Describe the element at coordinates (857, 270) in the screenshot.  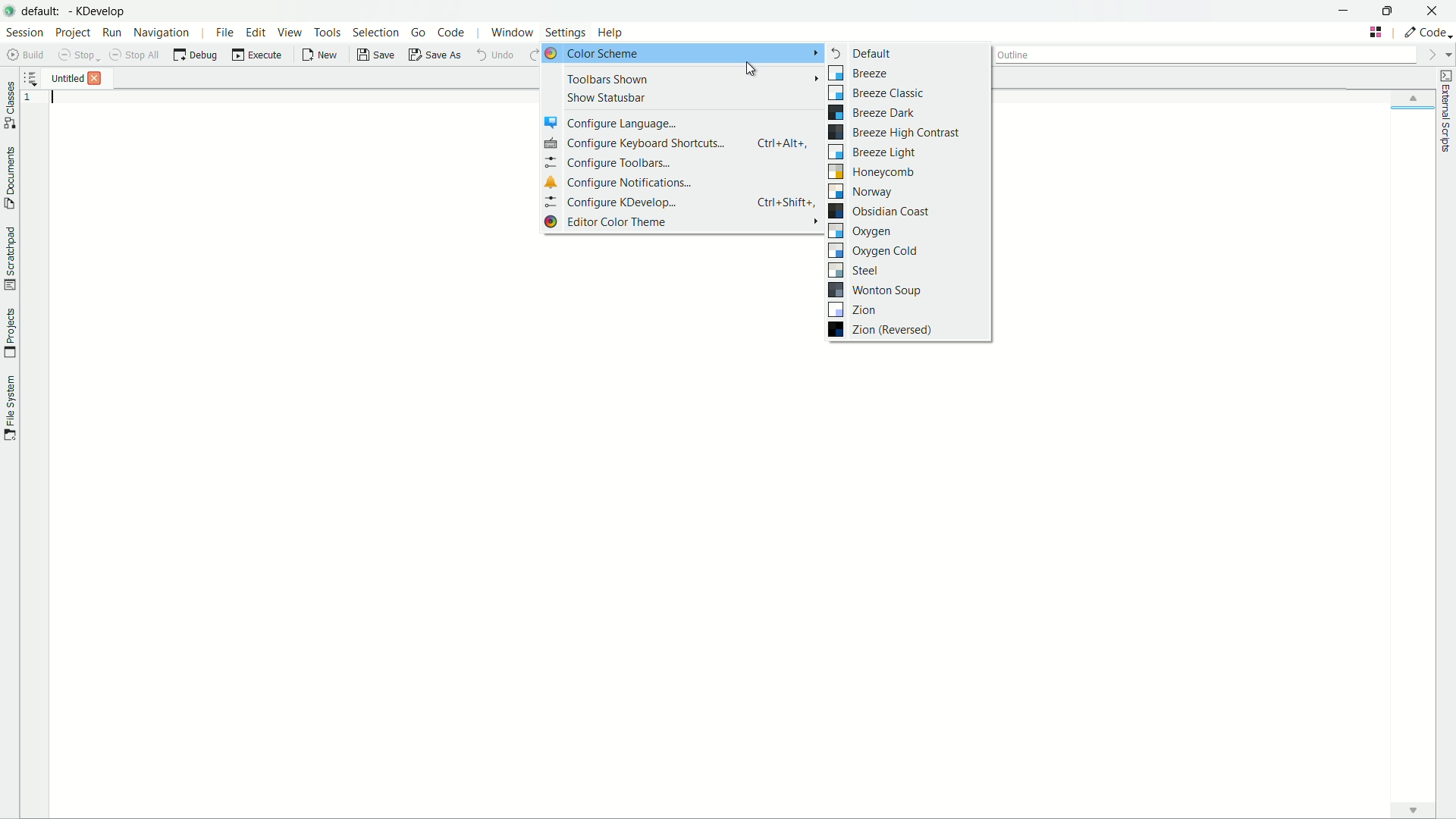
I see `steel` at that location.